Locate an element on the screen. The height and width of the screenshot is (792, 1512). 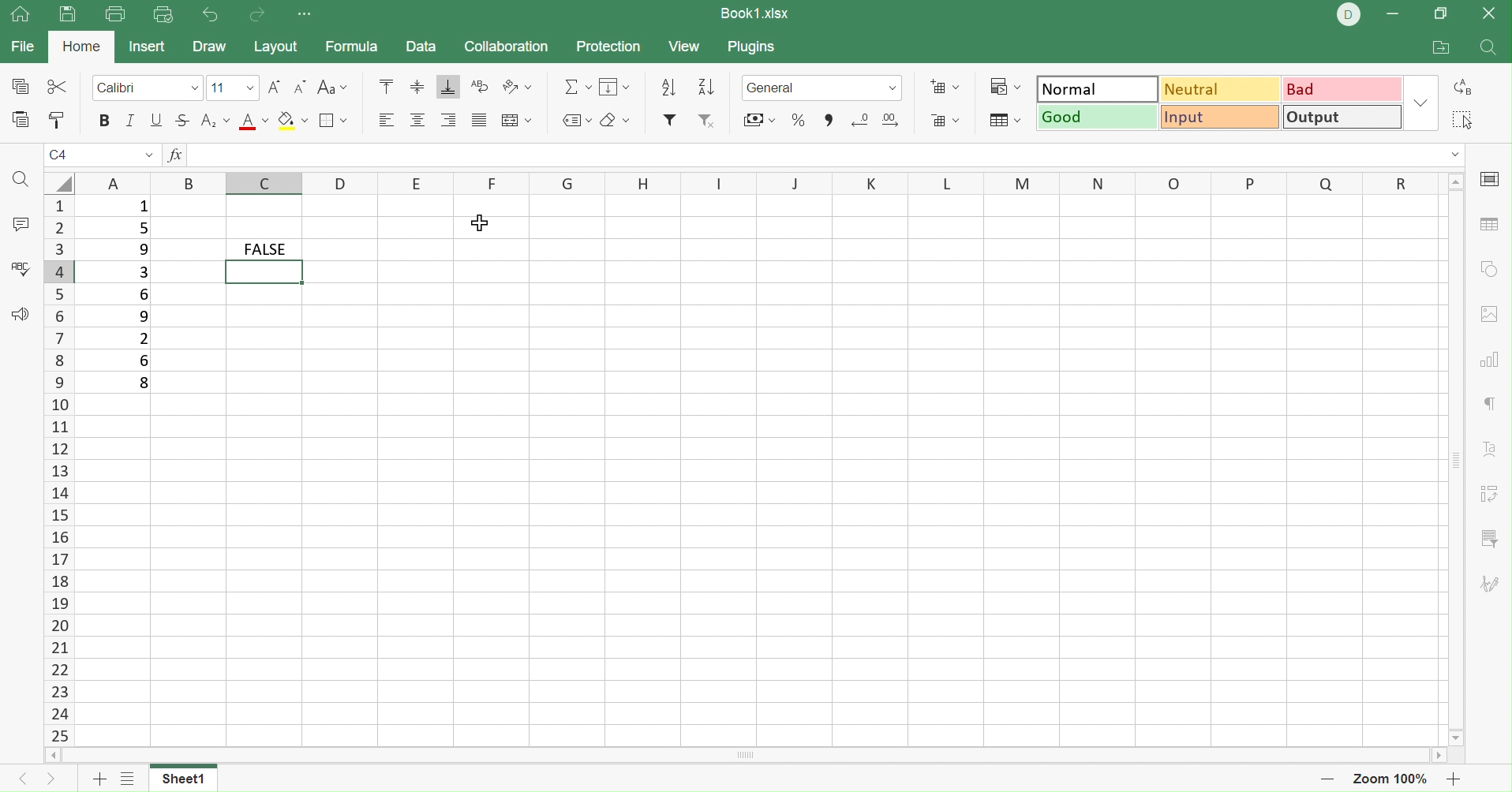
Align top is located at coordinates (385, 86).